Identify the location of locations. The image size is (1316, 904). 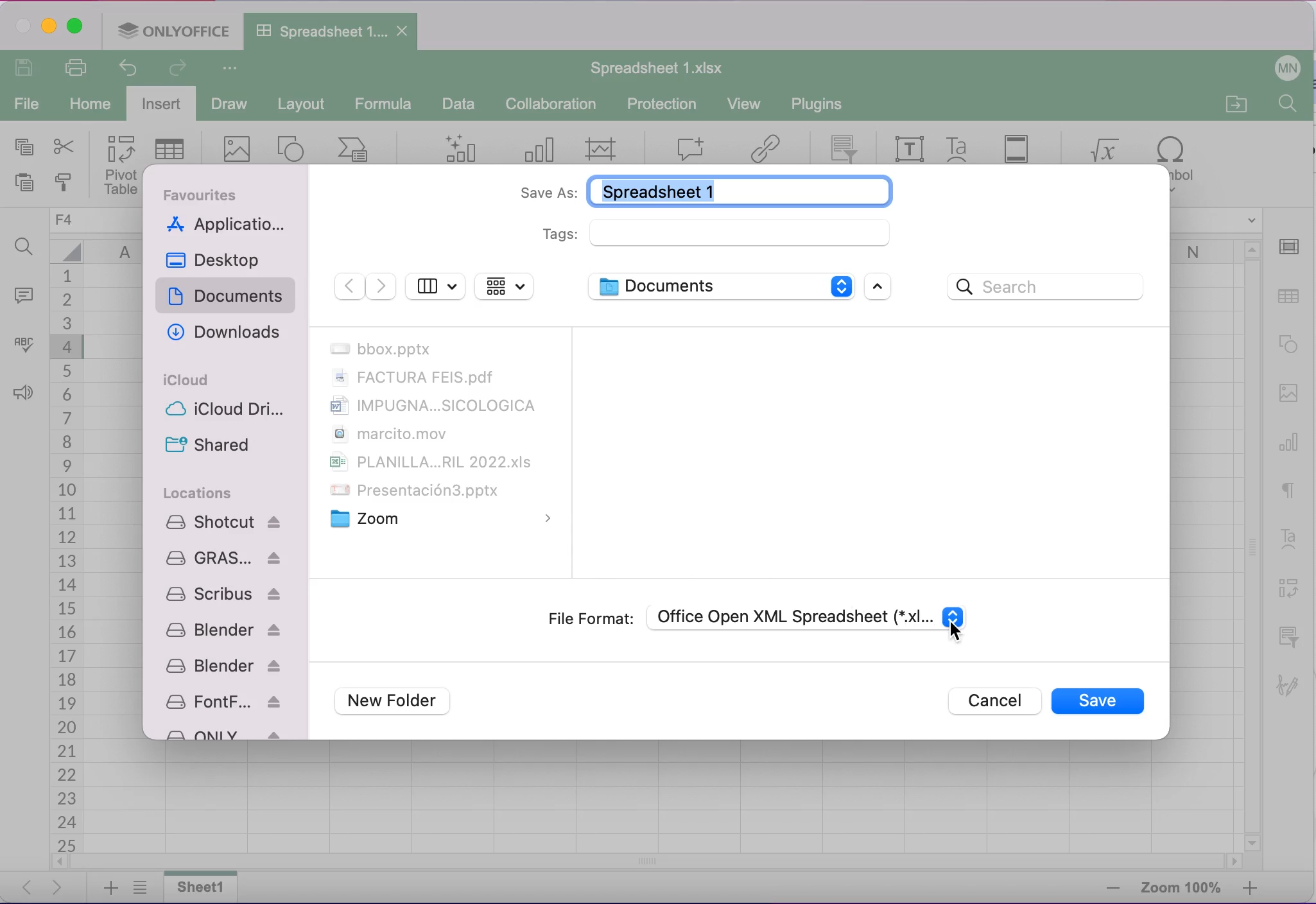
(199, 492).